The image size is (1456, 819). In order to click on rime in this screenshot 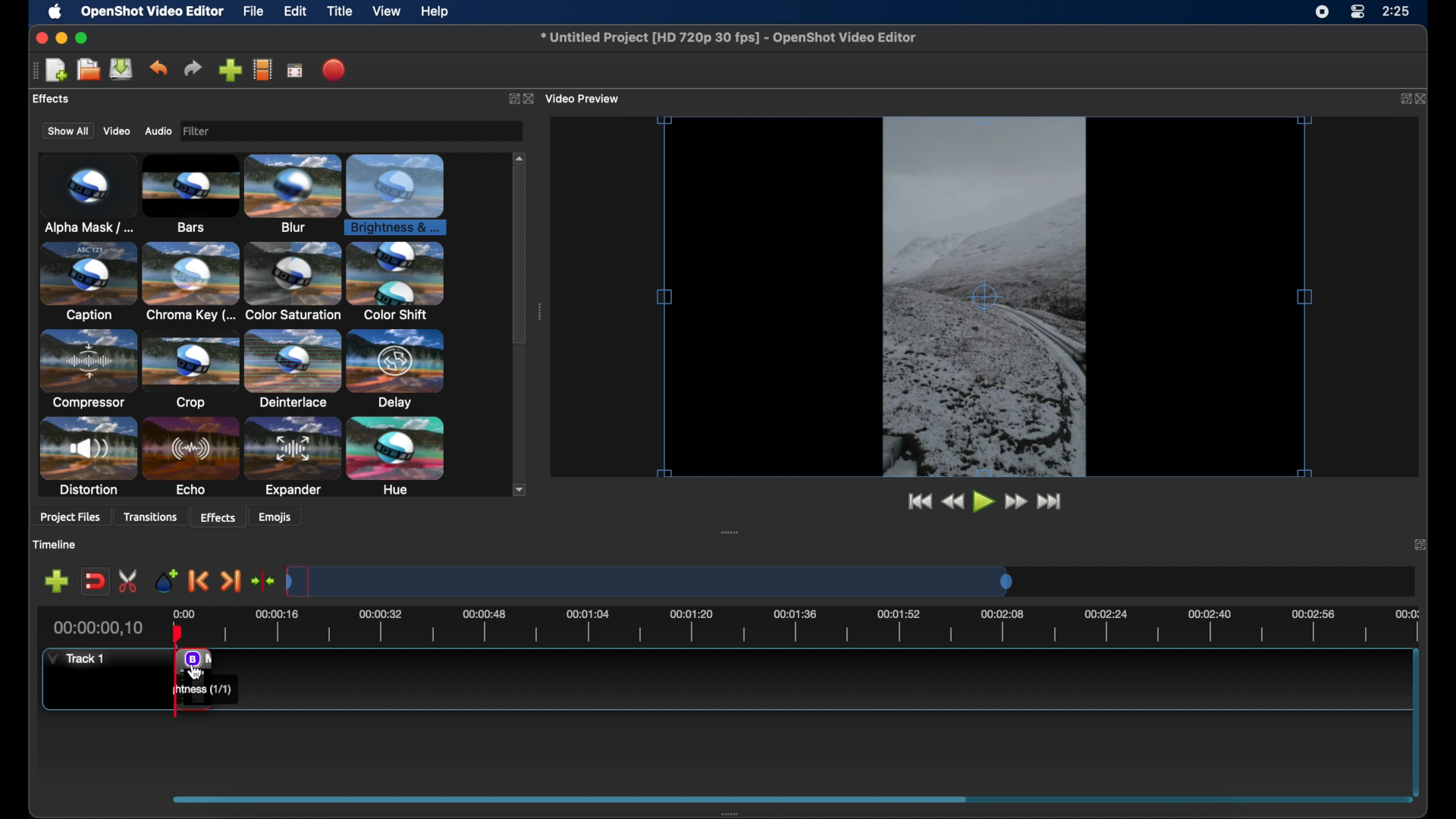, I will do `click(1397, 13)`.